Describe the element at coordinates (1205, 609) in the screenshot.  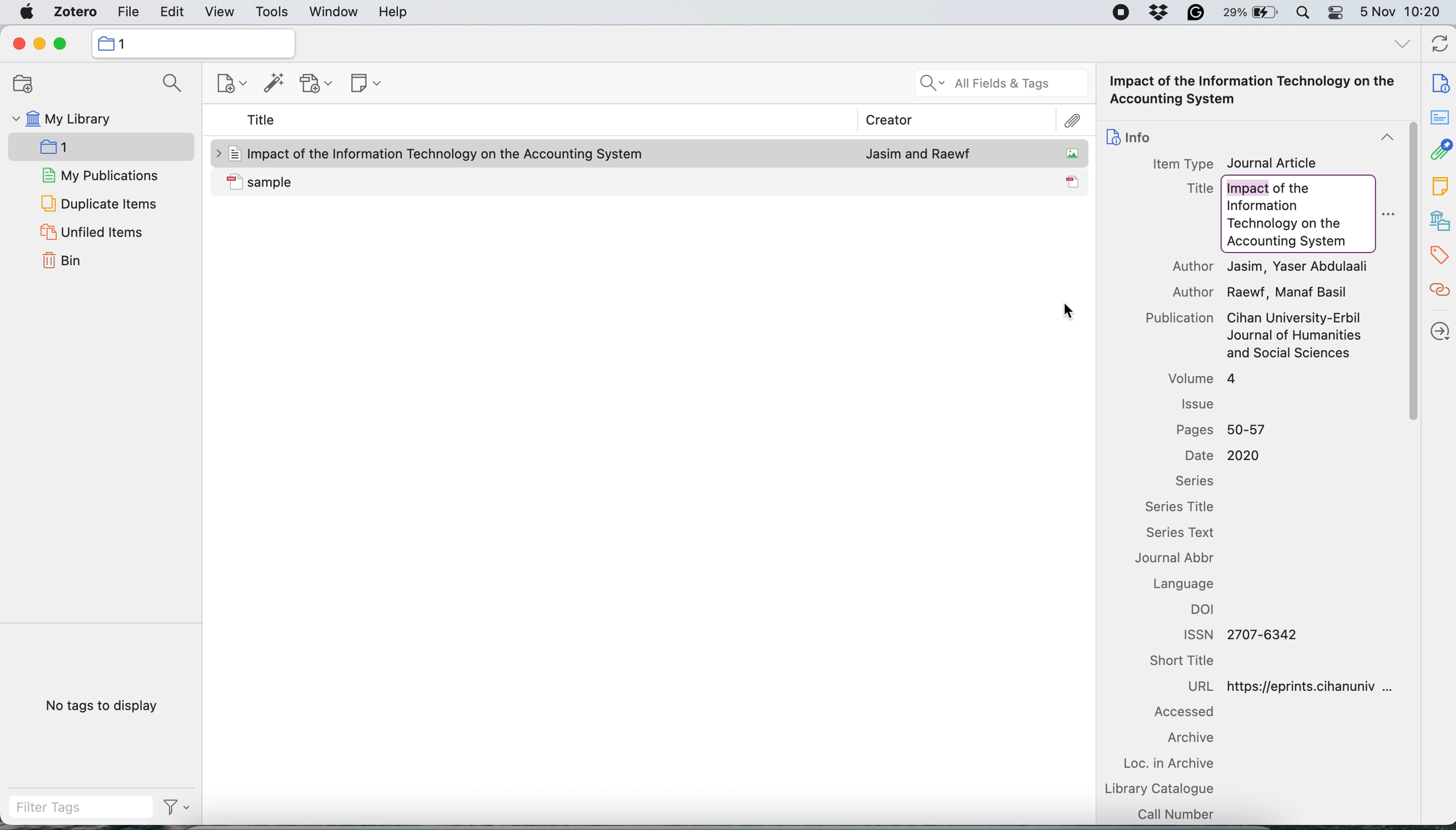
I see `doi` at that location.